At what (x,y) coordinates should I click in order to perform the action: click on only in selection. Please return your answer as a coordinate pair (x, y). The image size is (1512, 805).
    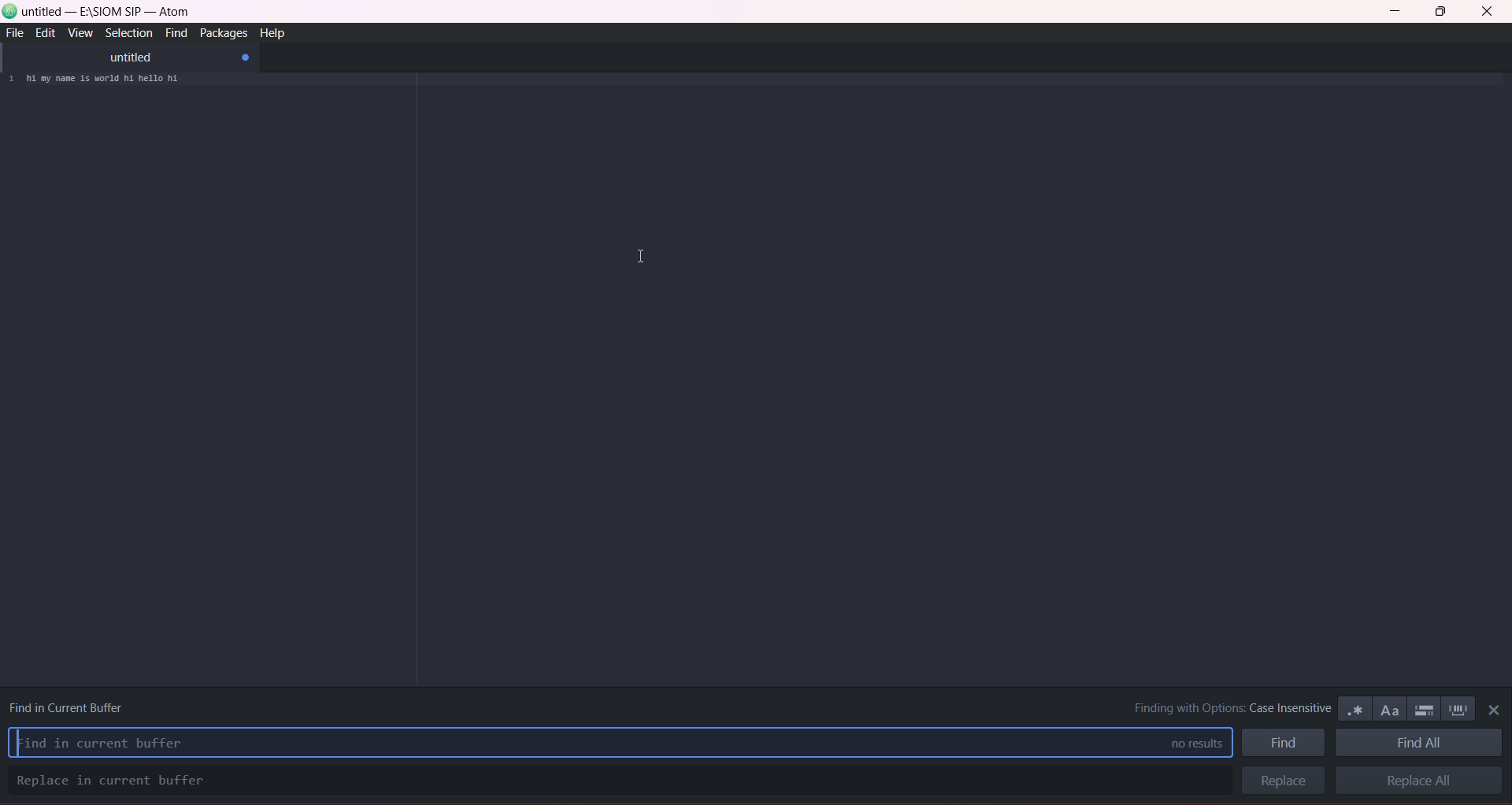
    Looking at the image, I should click on (1421, 707).